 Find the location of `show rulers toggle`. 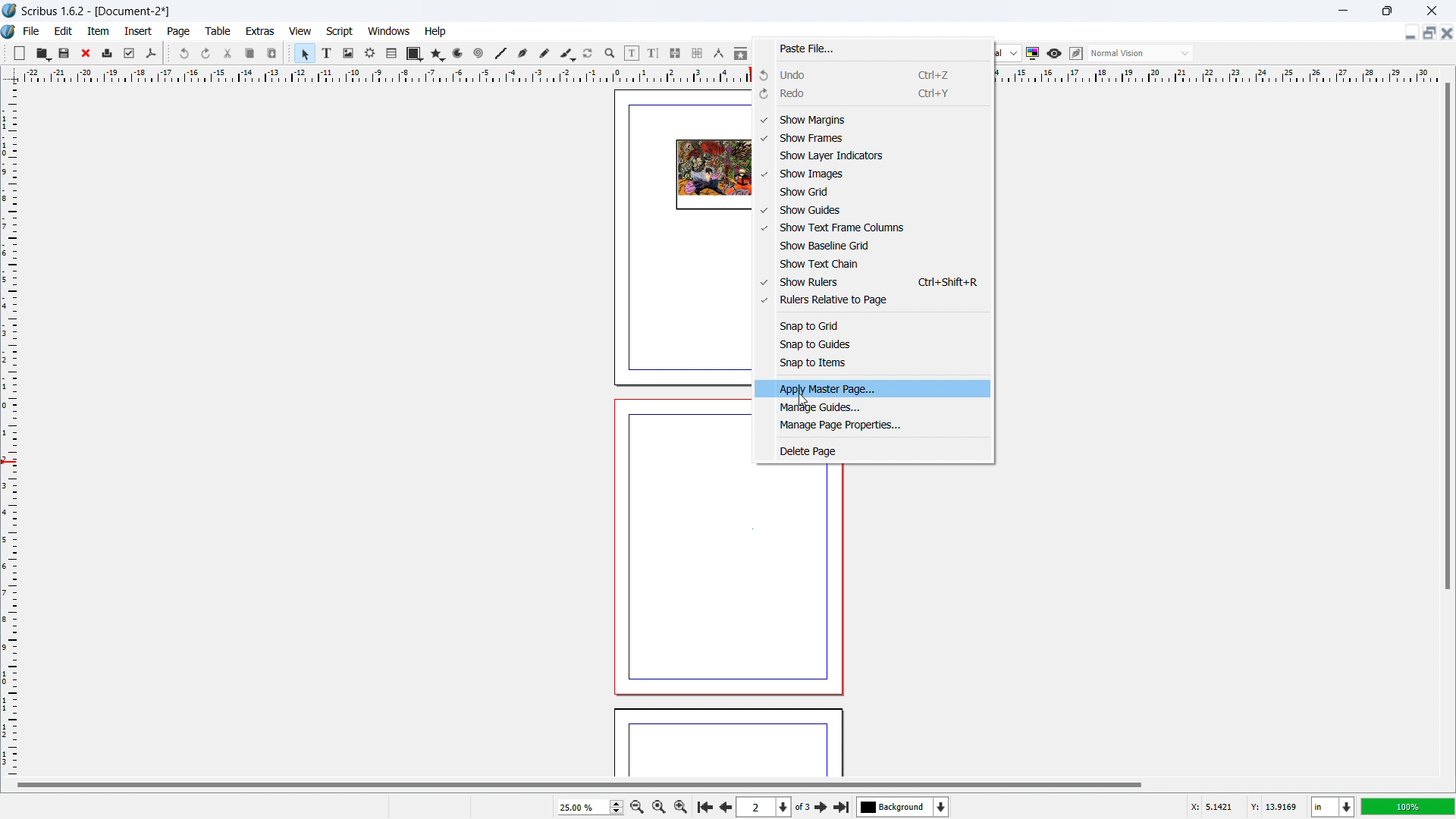

show rulers toggle is located at coordinates (873, 281).